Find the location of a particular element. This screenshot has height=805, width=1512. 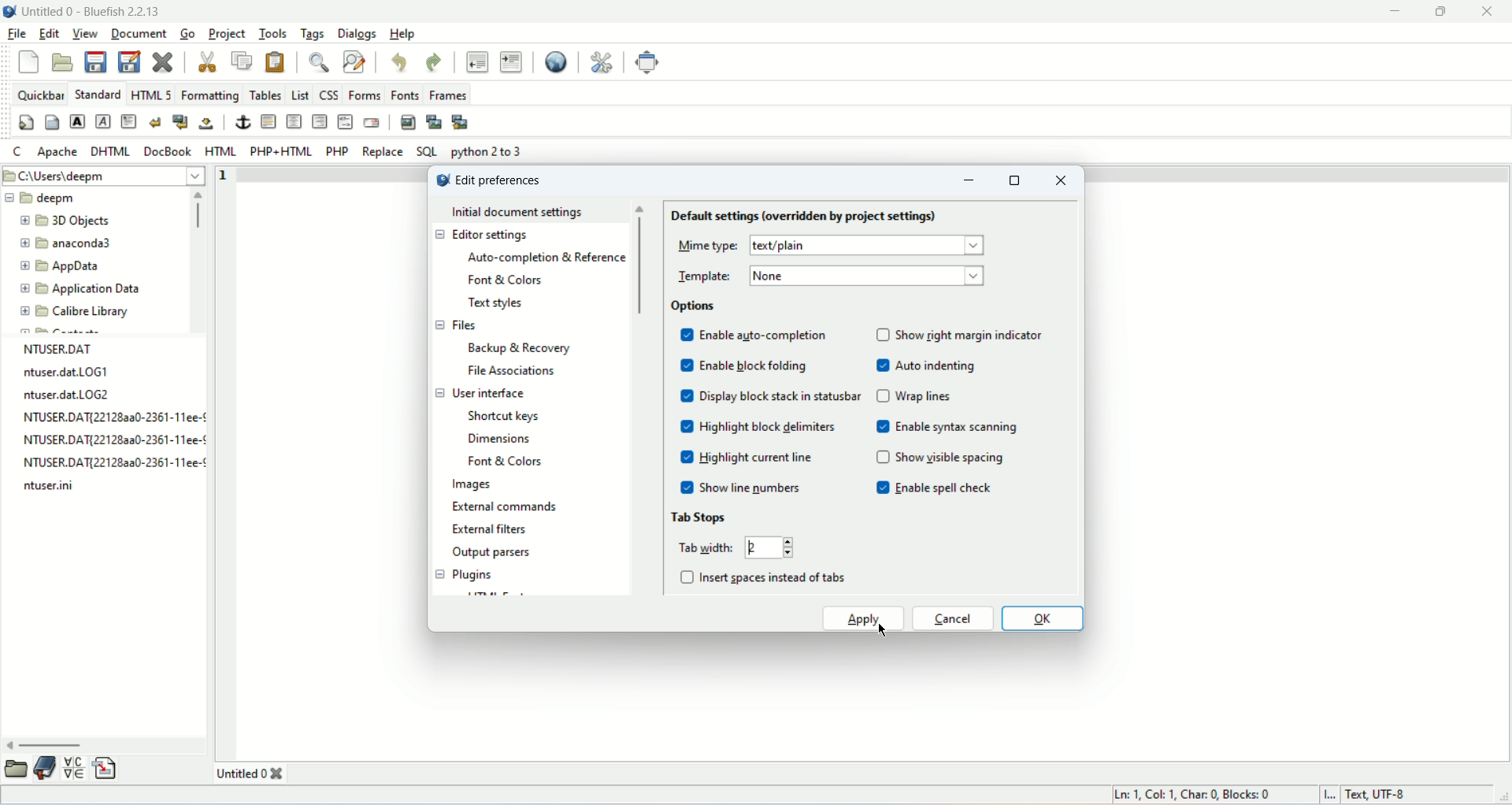

DHTML is located at coordinates (108, 148).